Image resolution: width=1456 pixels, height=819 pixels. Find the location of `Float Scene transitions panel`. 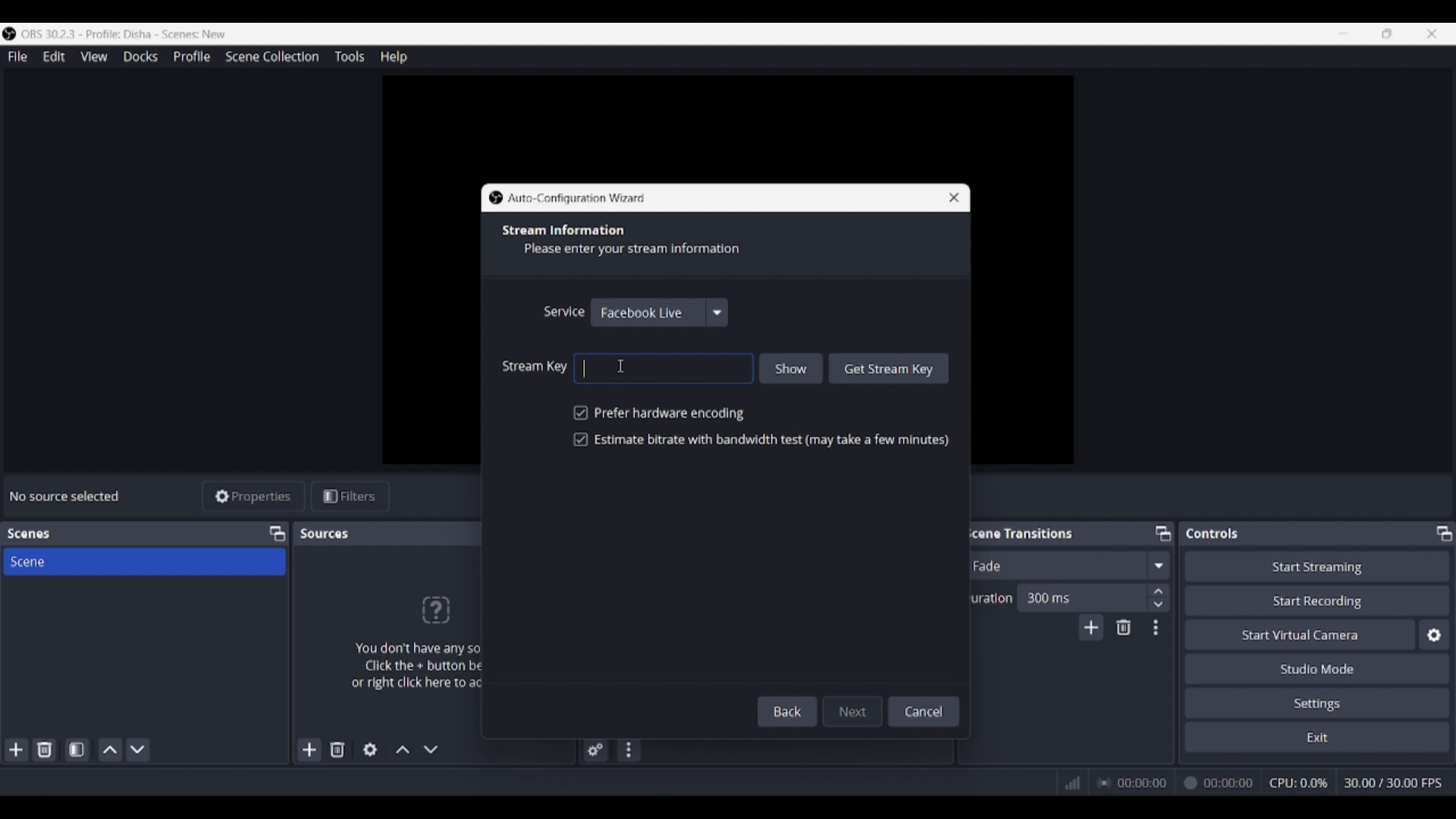

Float Scene transitions panel is located at coordinates (1163, 533).